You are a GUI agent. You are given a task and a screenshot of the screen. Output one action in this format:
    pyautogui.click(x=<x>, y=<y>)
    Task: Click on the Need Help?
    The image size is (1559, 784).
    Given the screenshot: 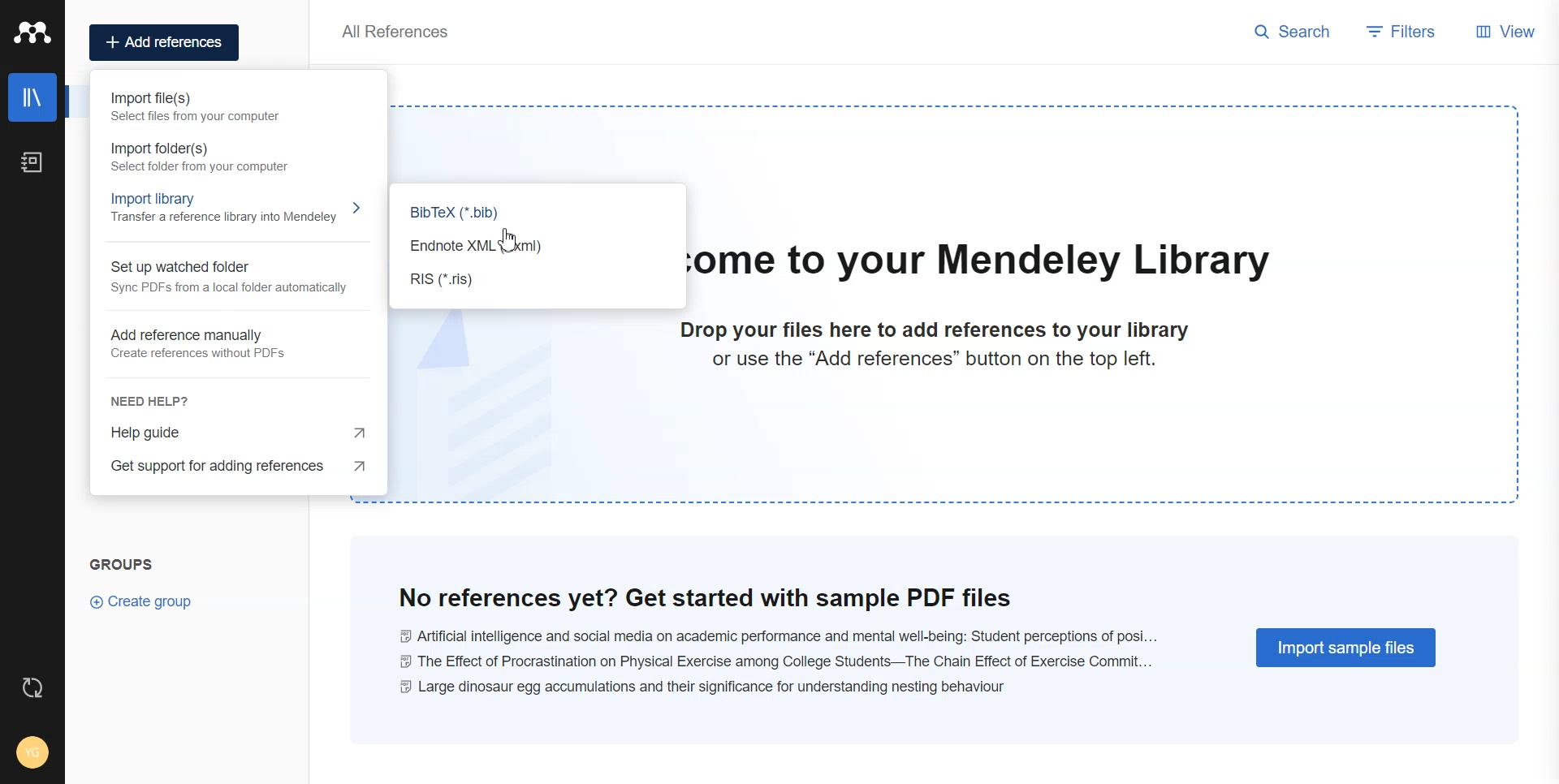 What is the action you would take?
    pyautogui.click(x=210, y=394)
    